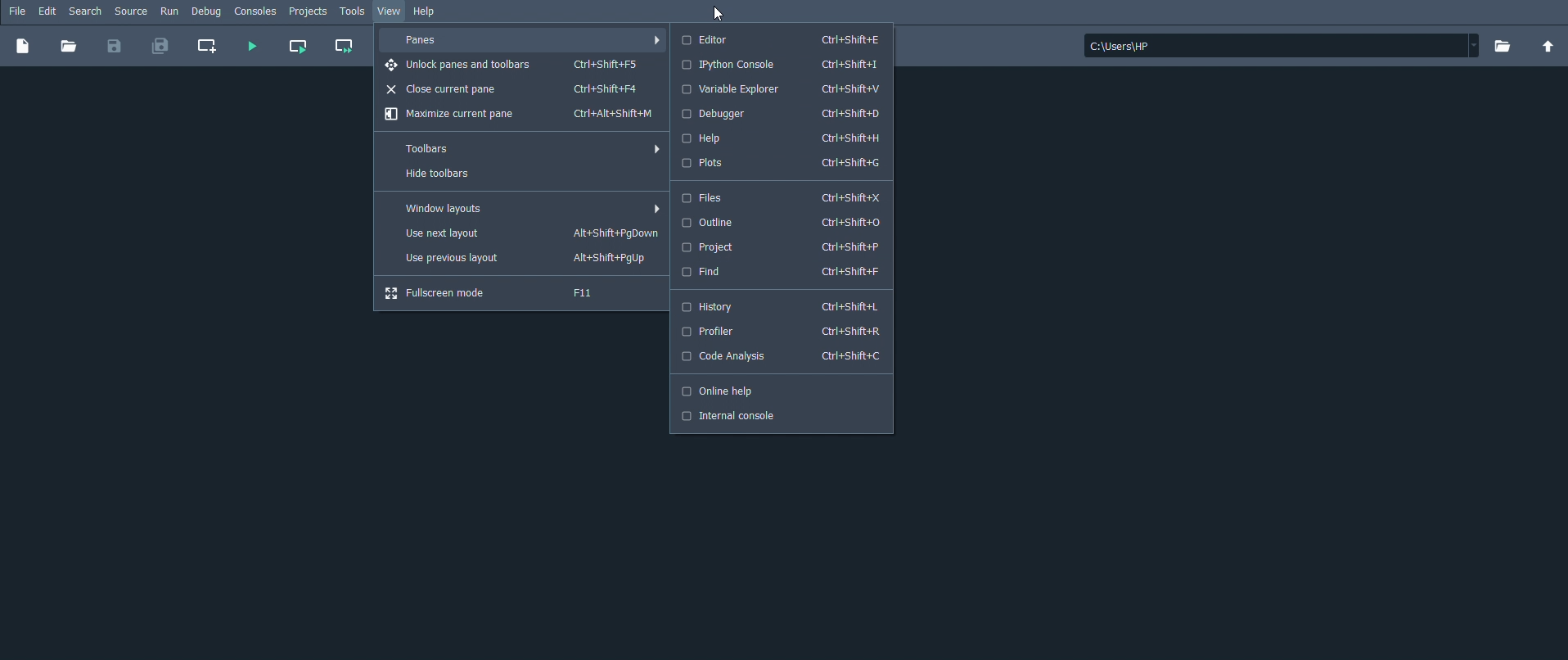 This screenshot has width=1568, height=660. Describe the element at coordinates (525, 174) in the screenshot. I see `Hide toolbars` at that location.